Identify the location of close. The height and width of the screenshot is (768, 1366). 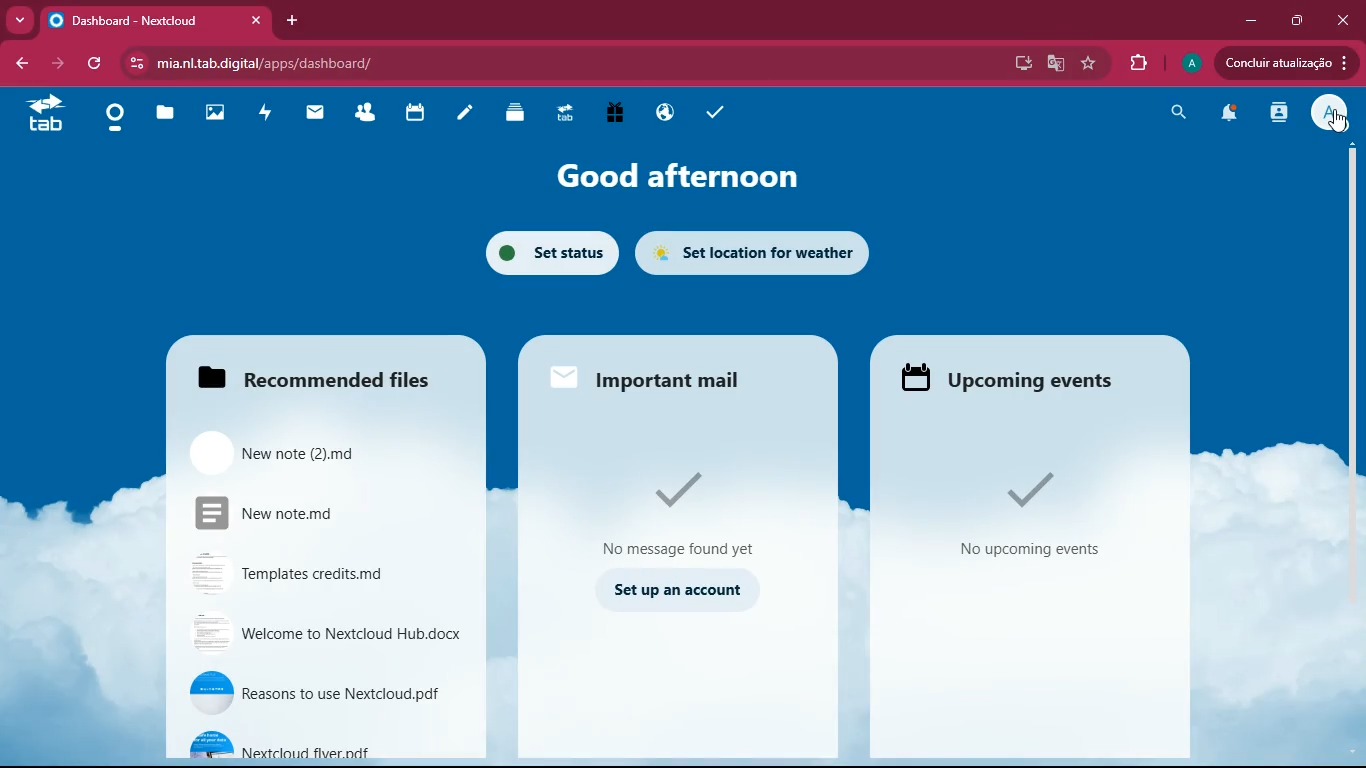
(1346, 20).